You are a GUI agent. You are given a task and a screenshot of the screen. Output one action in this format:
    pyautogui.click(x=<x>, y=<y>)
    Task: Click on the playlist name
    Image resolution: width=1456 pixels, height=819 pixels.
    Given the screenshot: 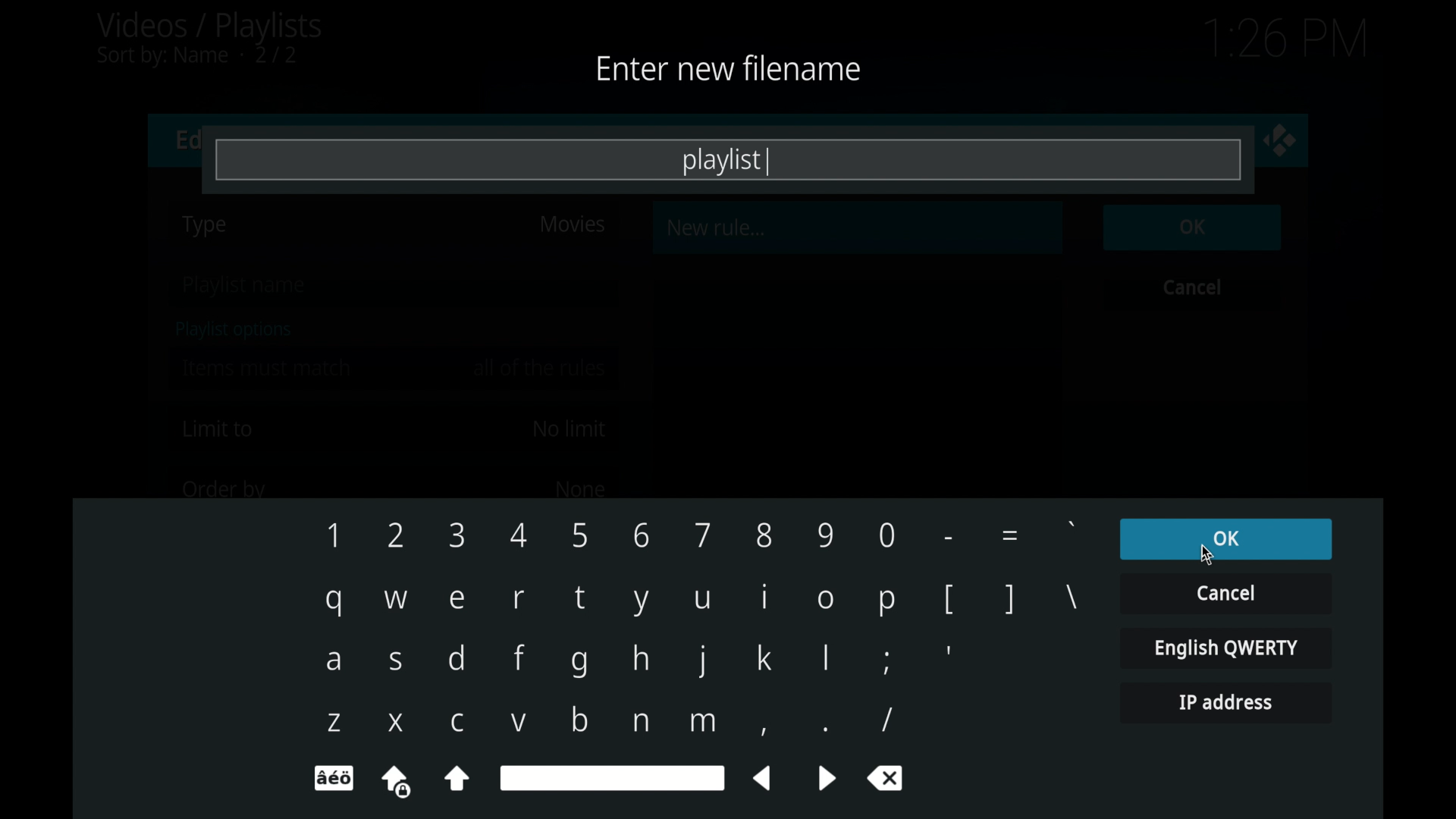 What is the action you would take?
    pyautogui.click(x=247, y=287)
    